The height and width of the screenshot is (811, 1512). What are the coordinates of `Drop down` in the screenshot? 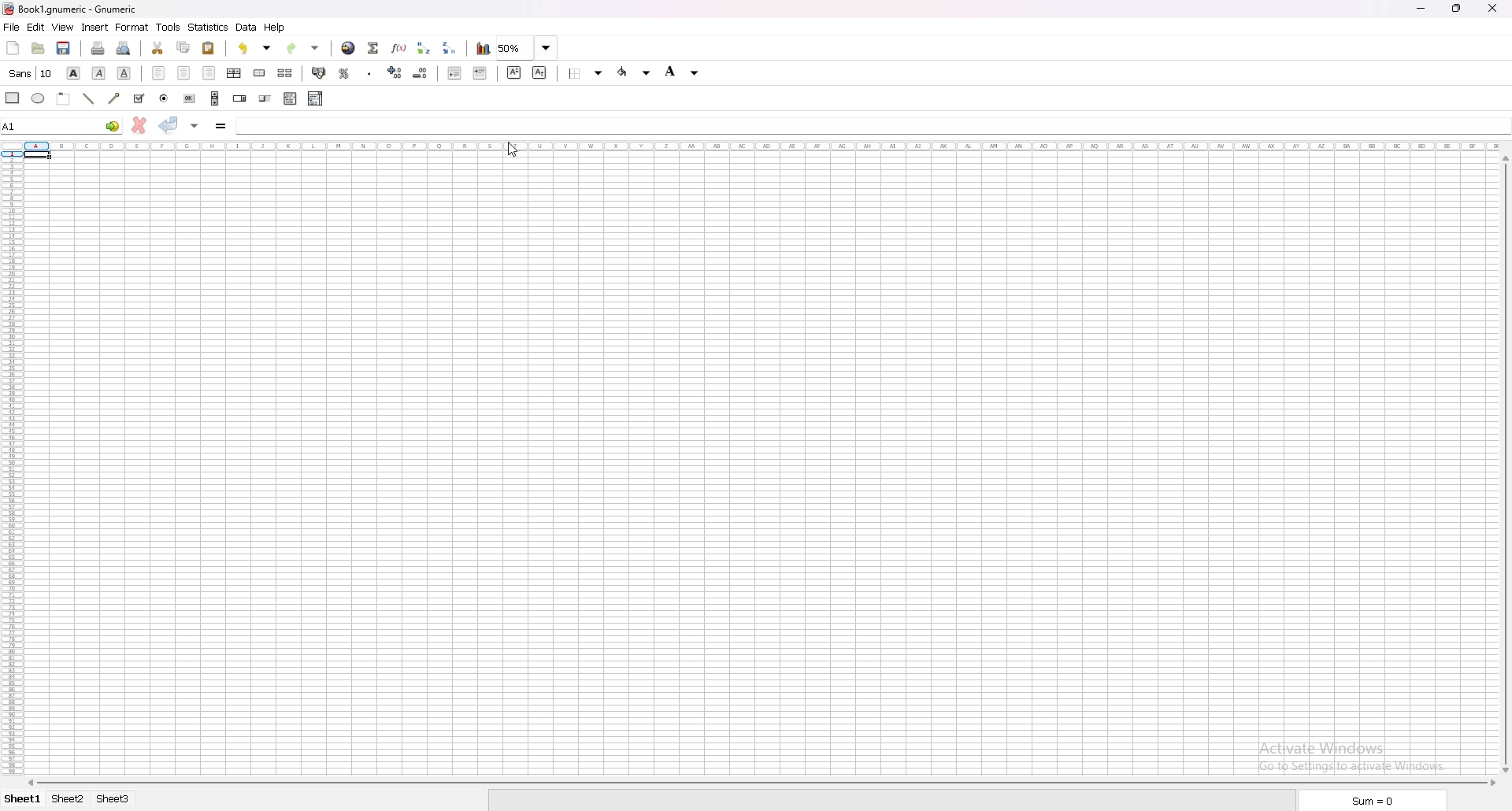 It's located at (693, 72).